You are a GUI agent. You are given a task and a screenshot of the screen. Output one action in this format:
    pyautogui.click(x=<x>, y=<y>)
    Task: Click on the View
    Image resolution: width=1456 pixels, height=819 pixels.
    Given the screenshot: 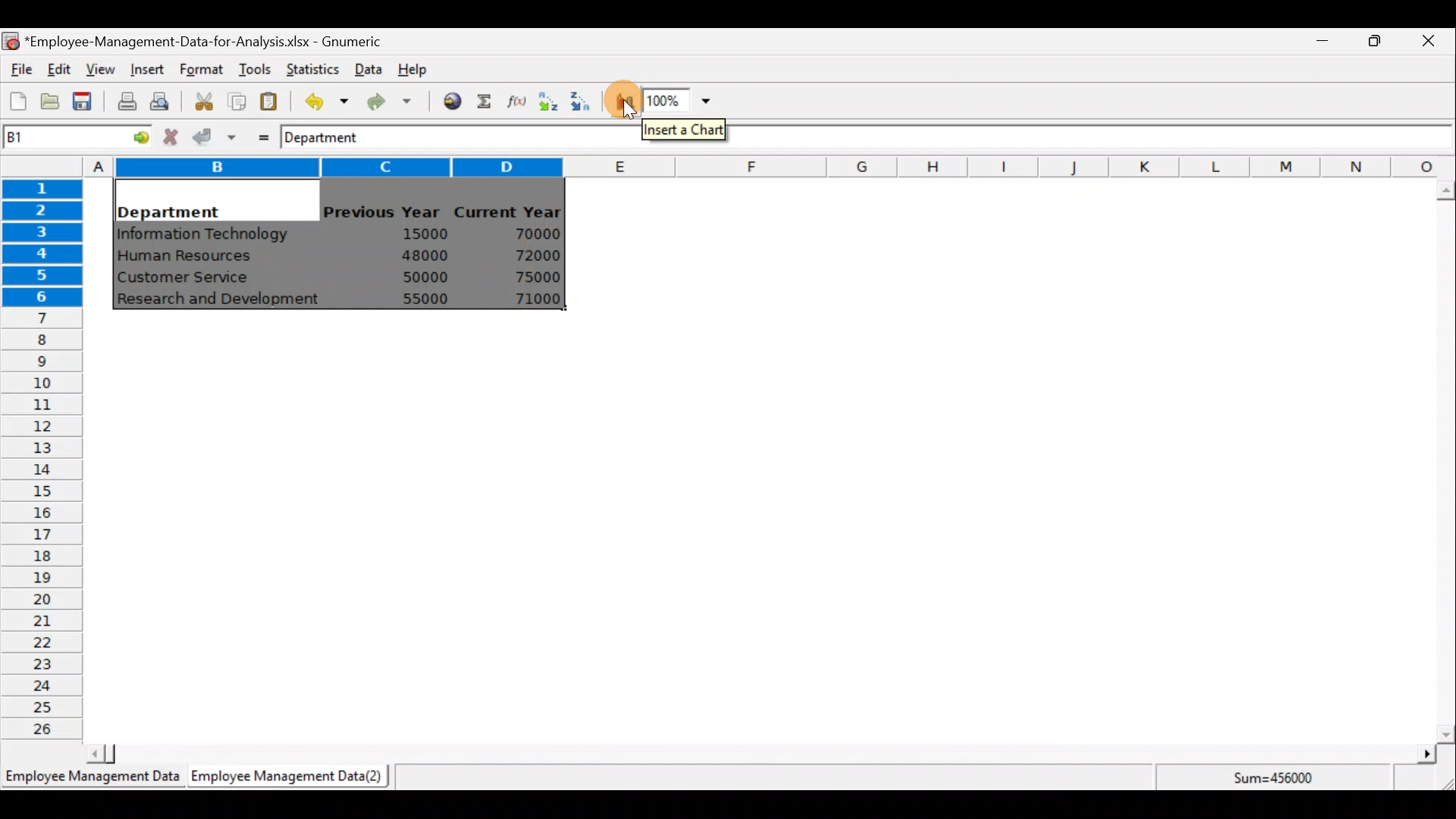 What is the action you would take?
    pyautogui.click(x=99, y=70)
    